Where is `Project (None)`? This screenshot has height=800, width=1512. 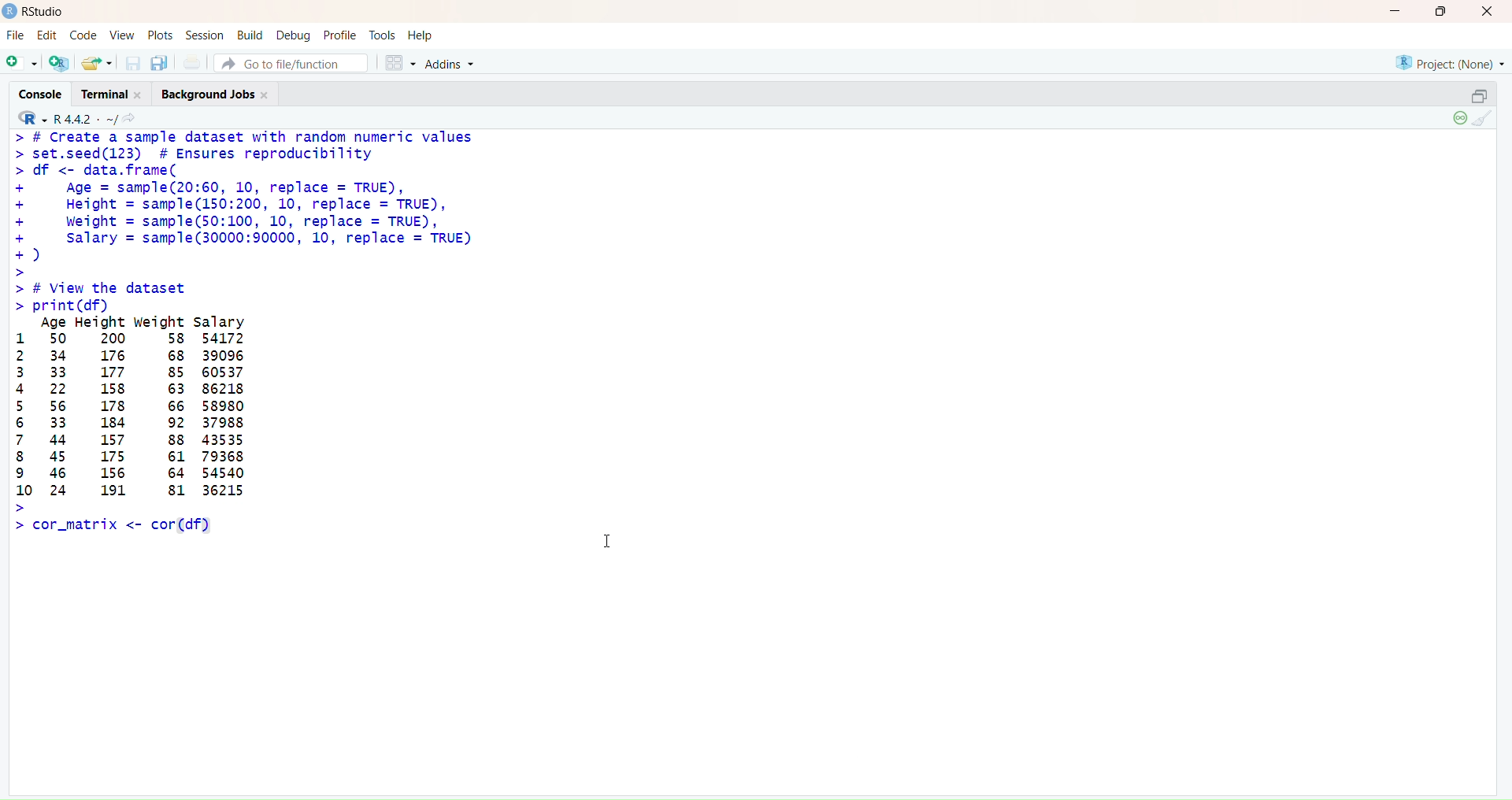
Project (None) is located at coordinates (1452, 65).